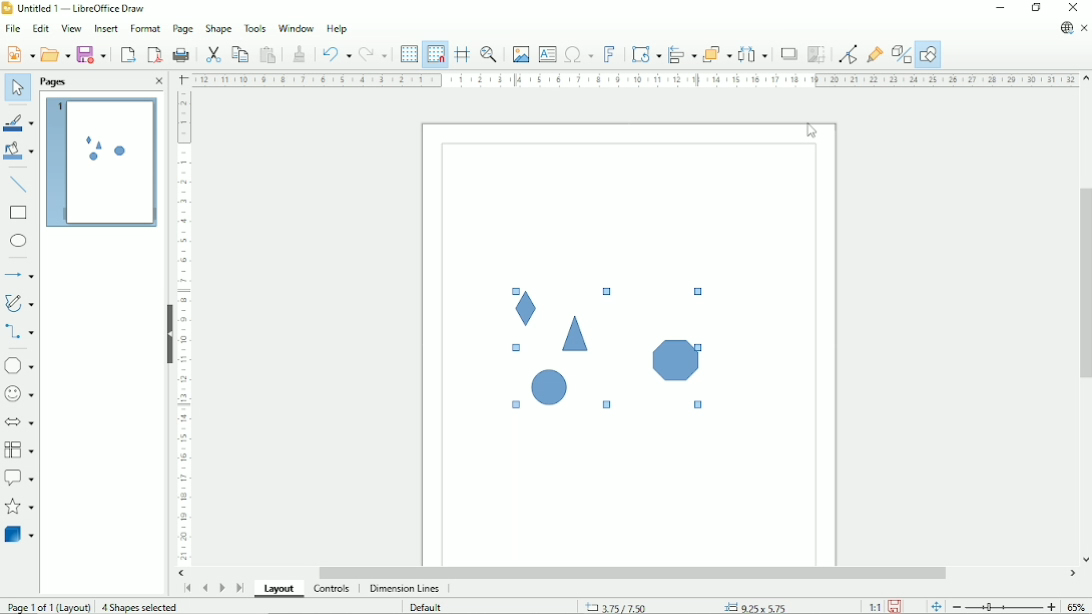 The height and width of the screenshot is (614, 1092). What do you see at coordinates (646, 54) in the screenshot?
I see `Transformation` at bounding box center [646, 54].